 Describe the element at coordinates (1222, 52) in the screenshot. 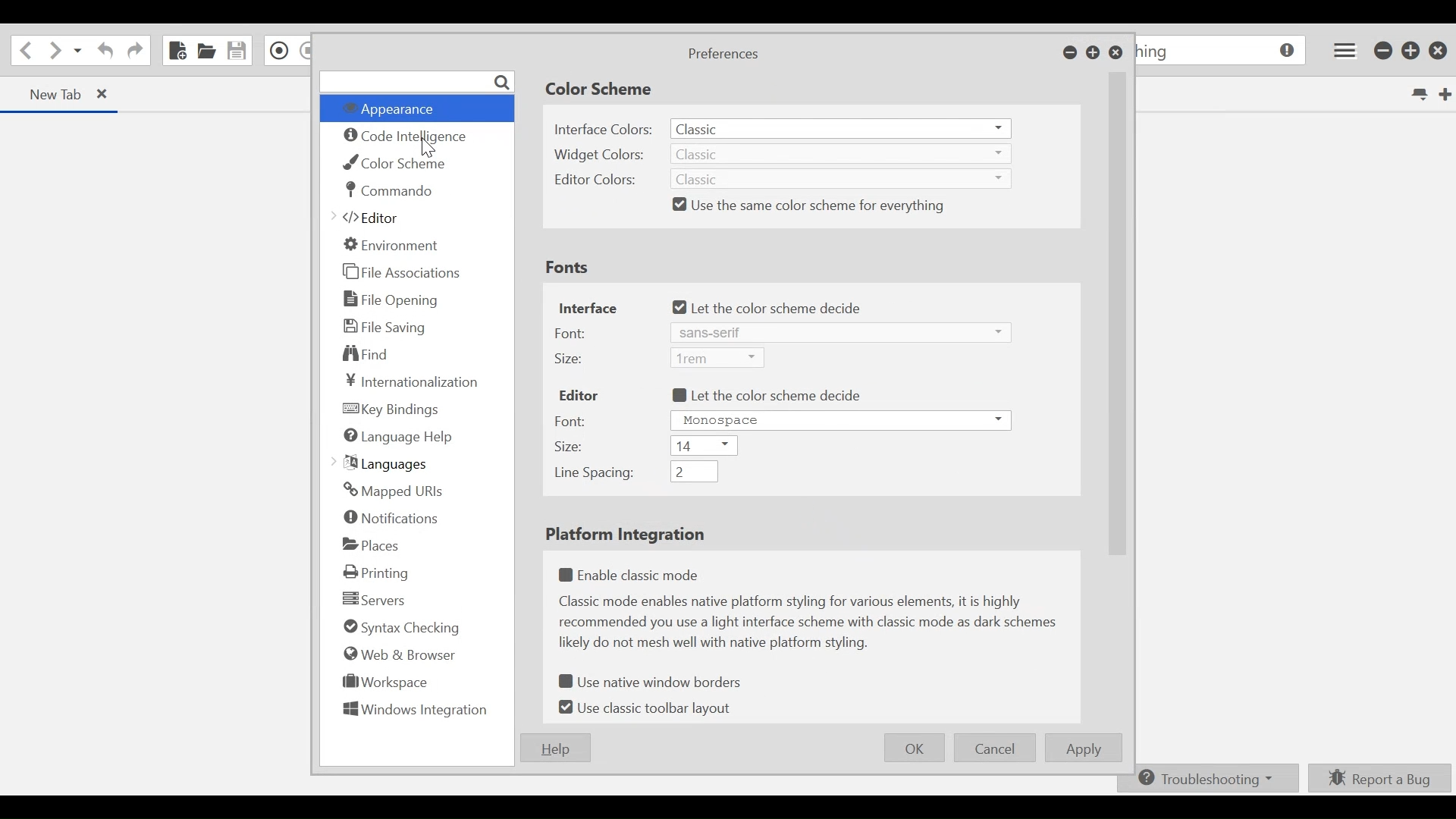

I see `go to anything` at that location.